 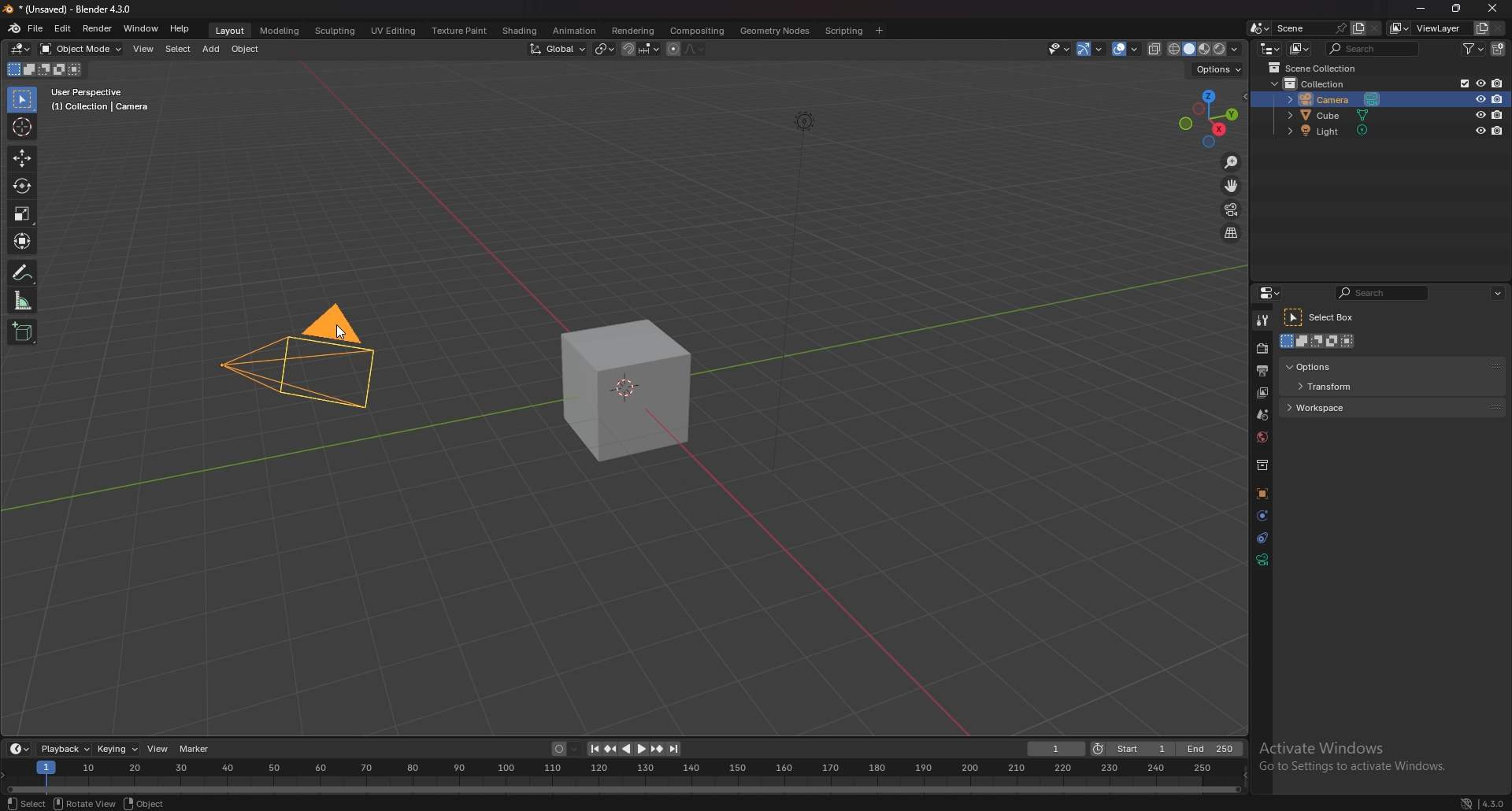 I want to click on display mode, so click(x=1299, y=49).